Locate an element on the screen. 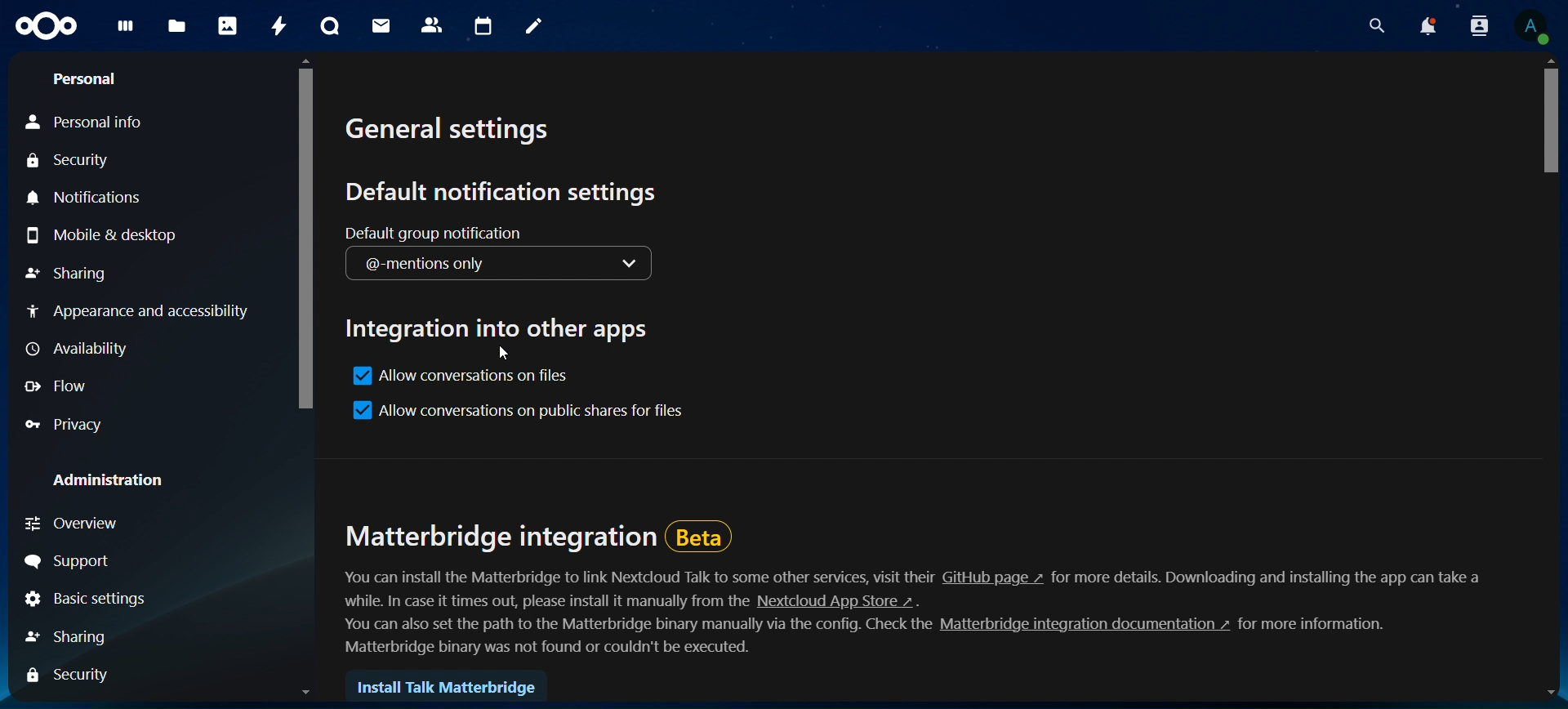  text is located at coordinates (629, 626).